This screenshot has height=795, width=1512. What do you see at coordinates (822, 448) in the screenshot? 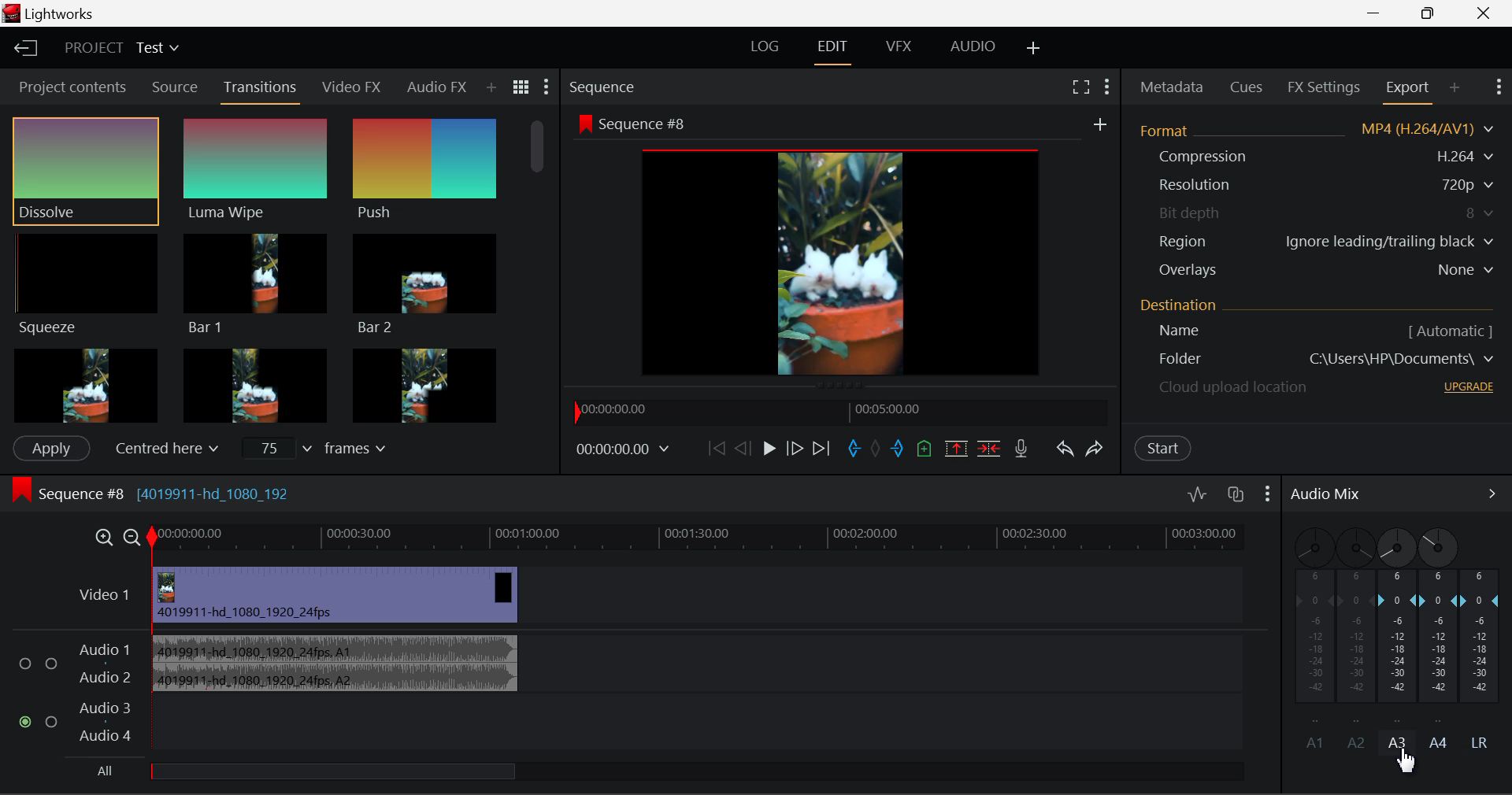
I see `To End` at bounding box center [822, 448].